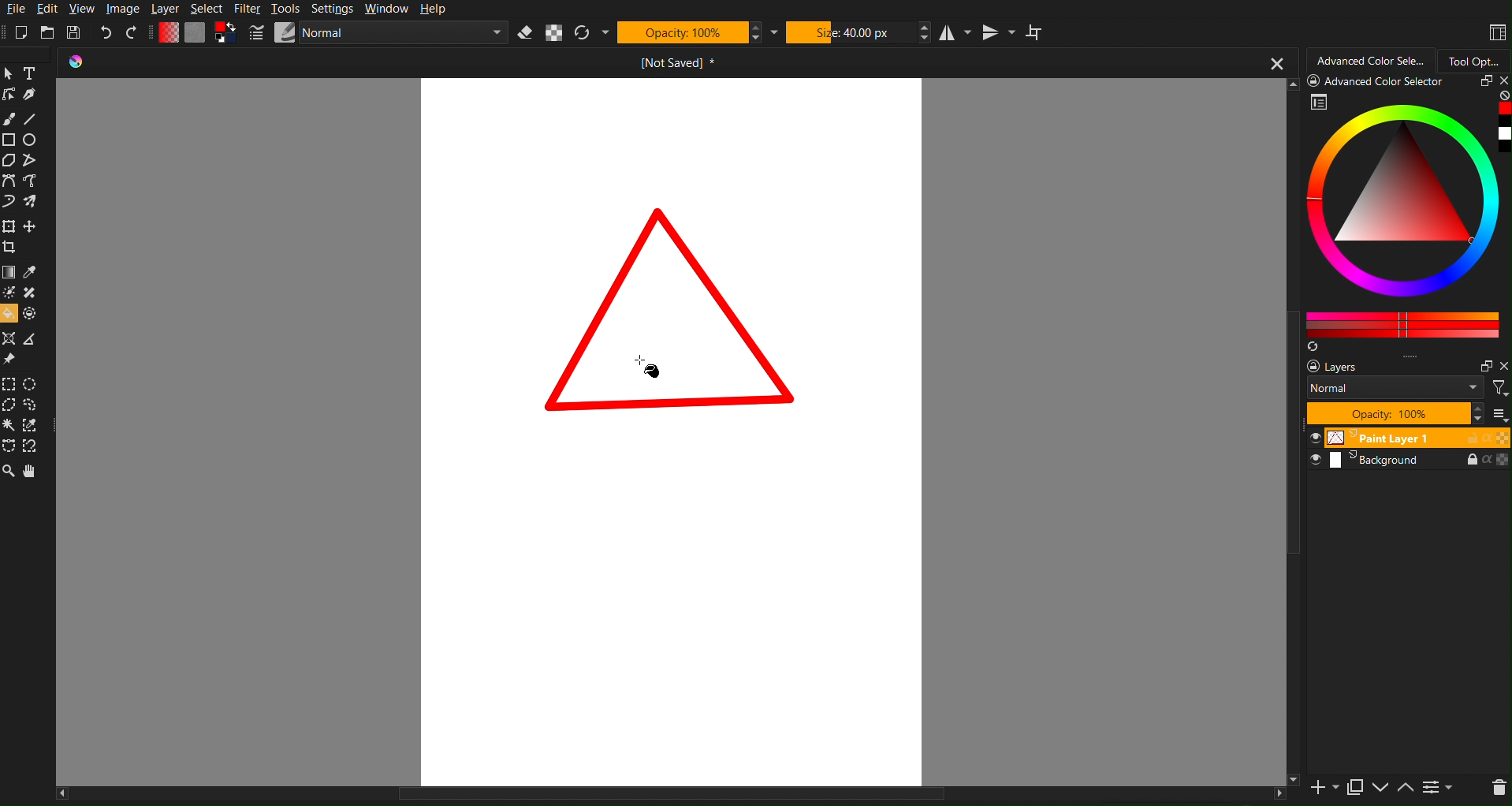 This screenshot has height=806, width=1512. Describe the element at coordinates (1484, 366) in the screenshot. I see `restore panel` at that location.